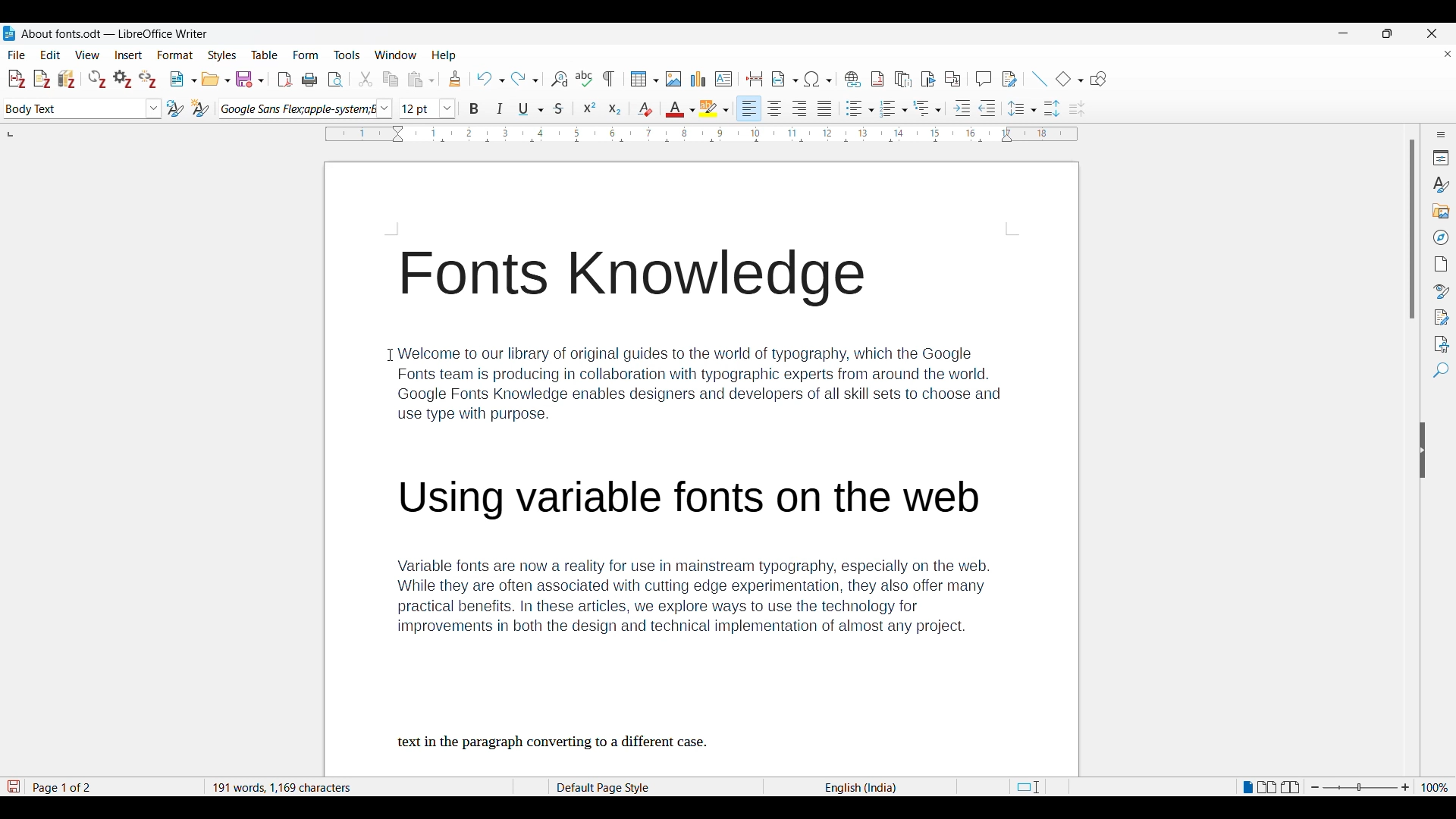  I want to click on Current page out of total pages, so click(64, 787).